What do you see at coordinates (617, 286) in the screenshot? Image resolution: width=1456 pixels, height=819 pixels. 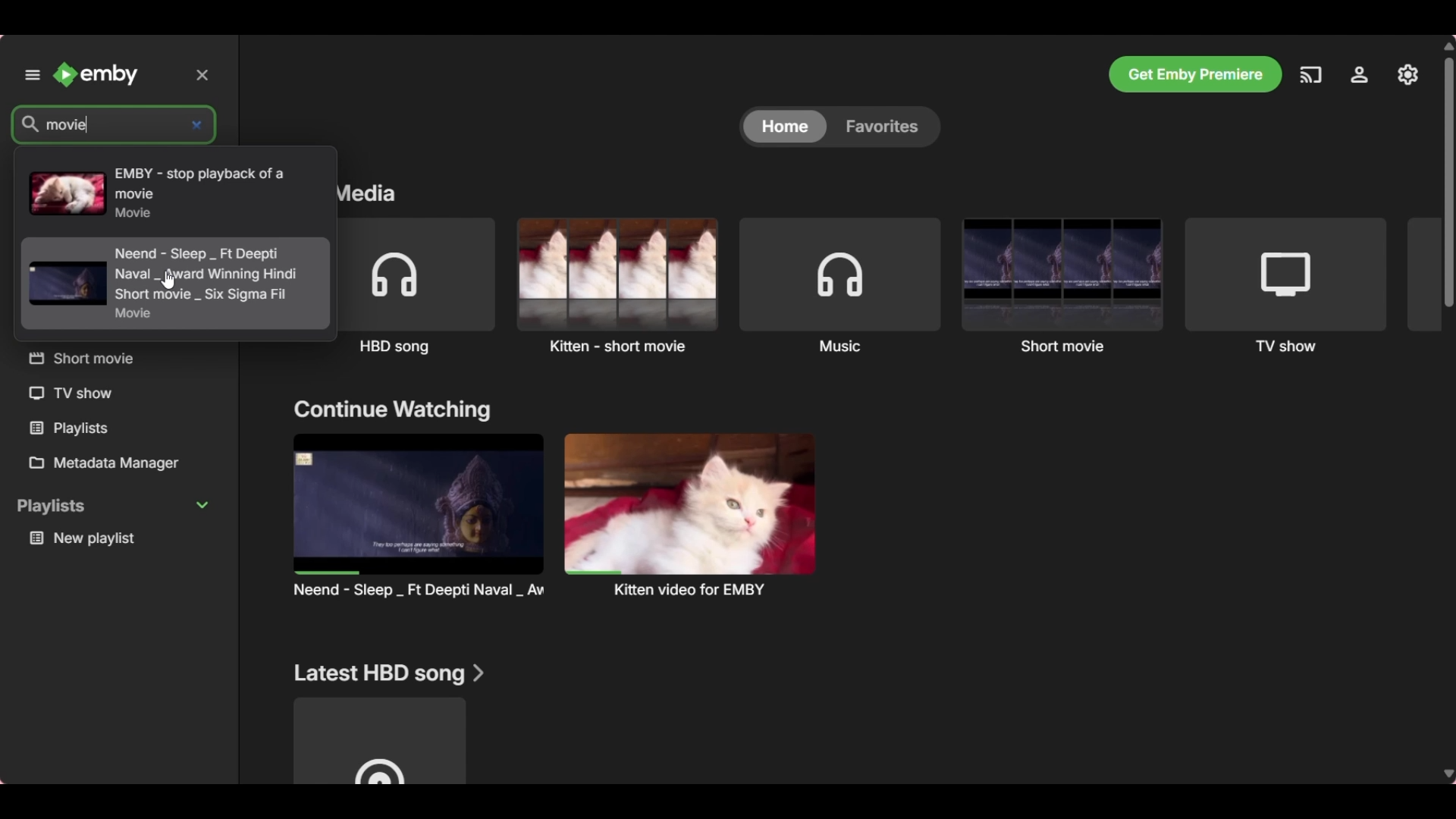 I see `Kitten - short movie` at bounding box center [617, 286].